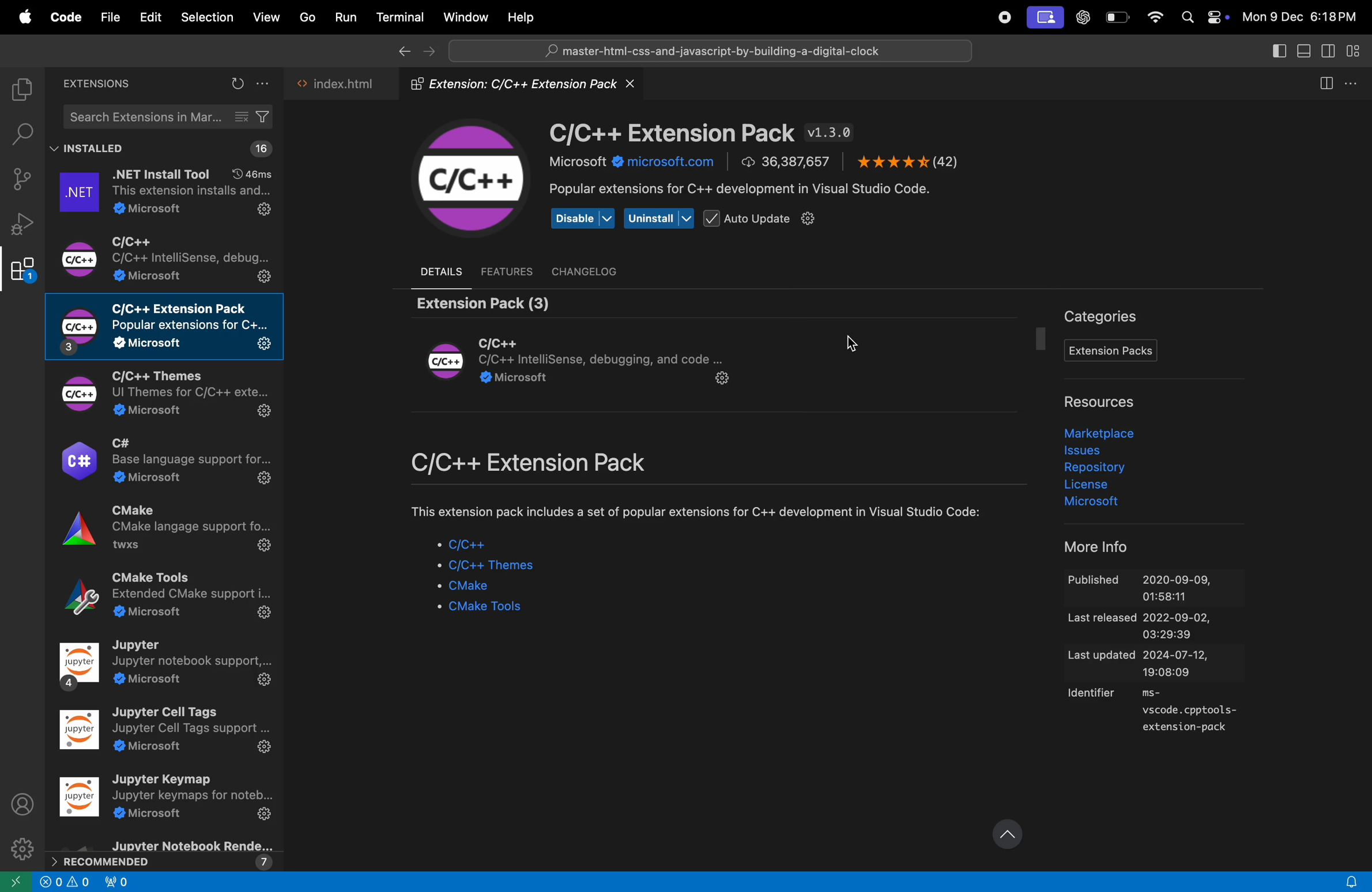  What do you see at coordinates (116, 883) in the screenshot?
I see `alert` at bounding box center [116, 883].